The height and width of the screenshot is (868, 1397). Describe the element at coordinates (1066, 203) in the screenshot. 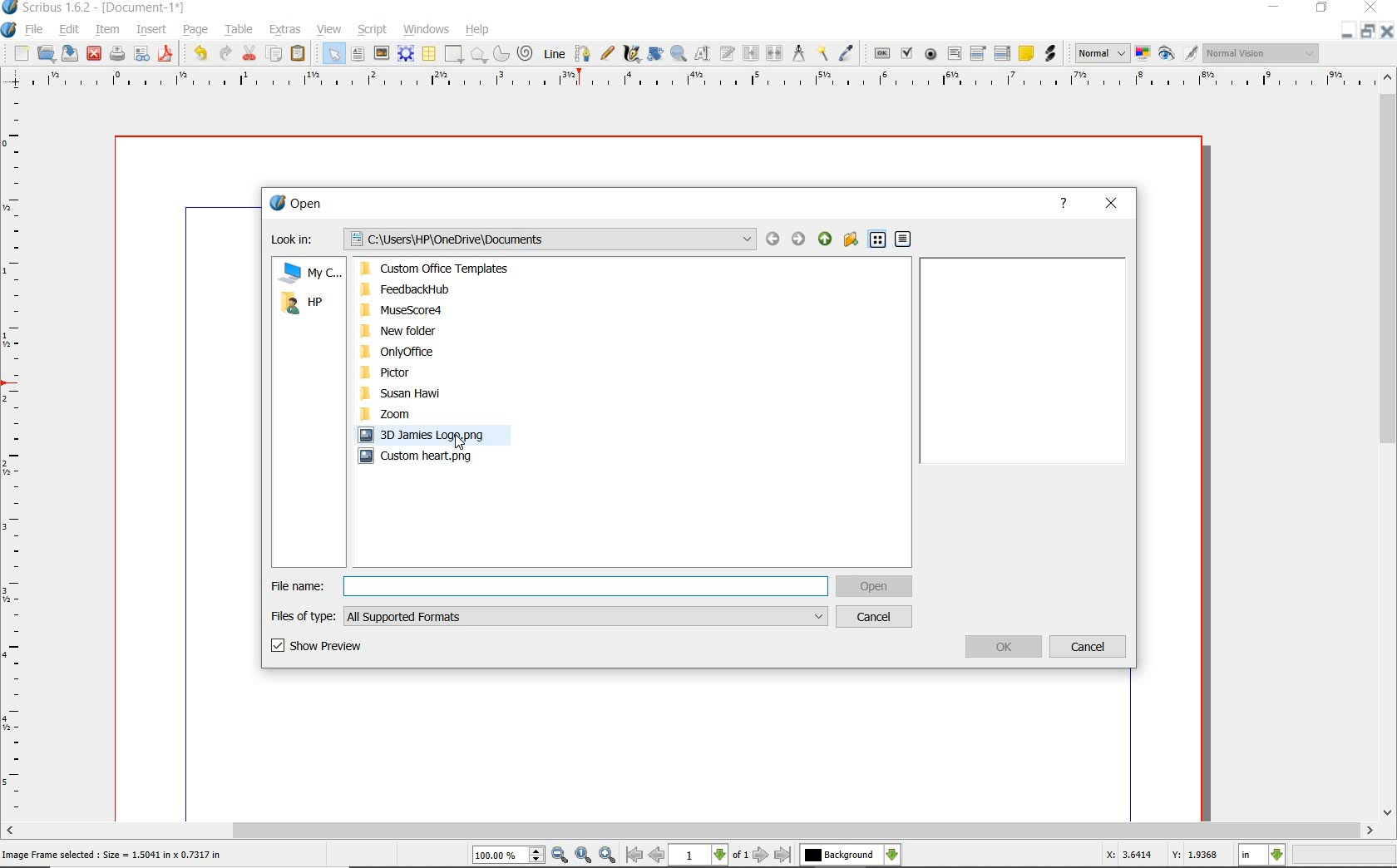

I see `help` at that location.